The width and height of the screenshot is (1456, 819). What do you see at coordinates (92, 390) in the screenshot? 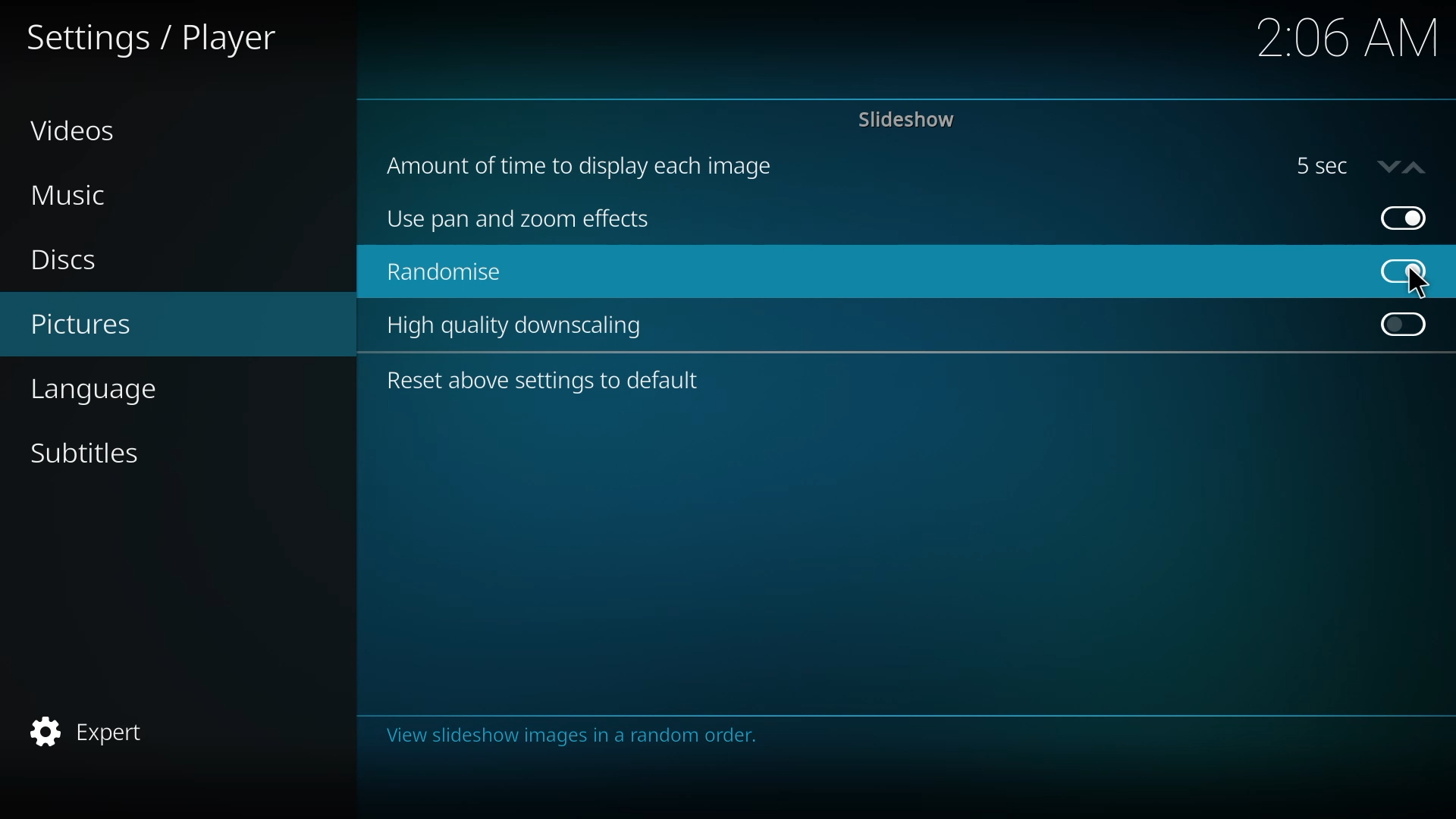
I see `language` at bounding box center [92, 390].